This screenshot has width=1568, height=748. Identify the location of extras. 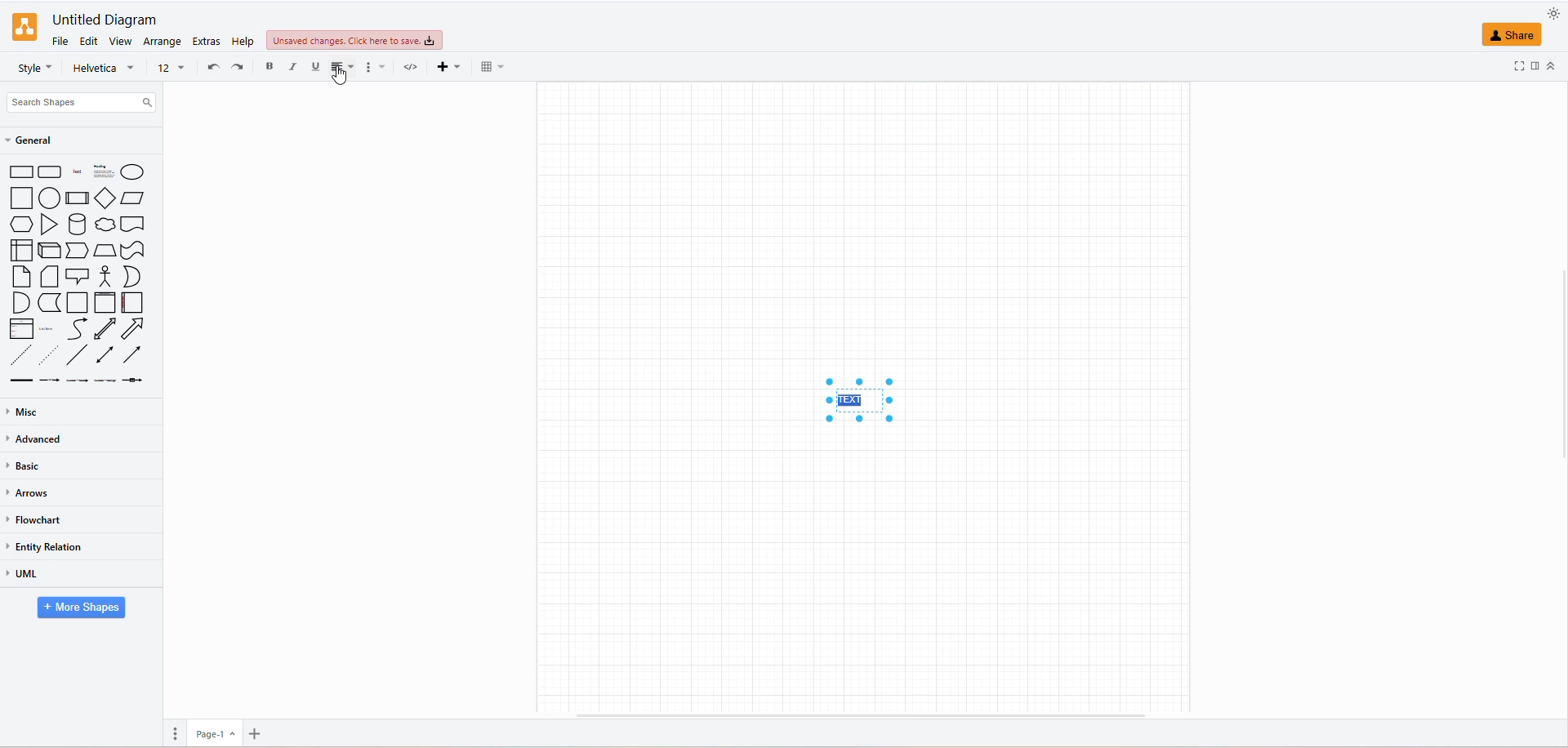
(207, 42).